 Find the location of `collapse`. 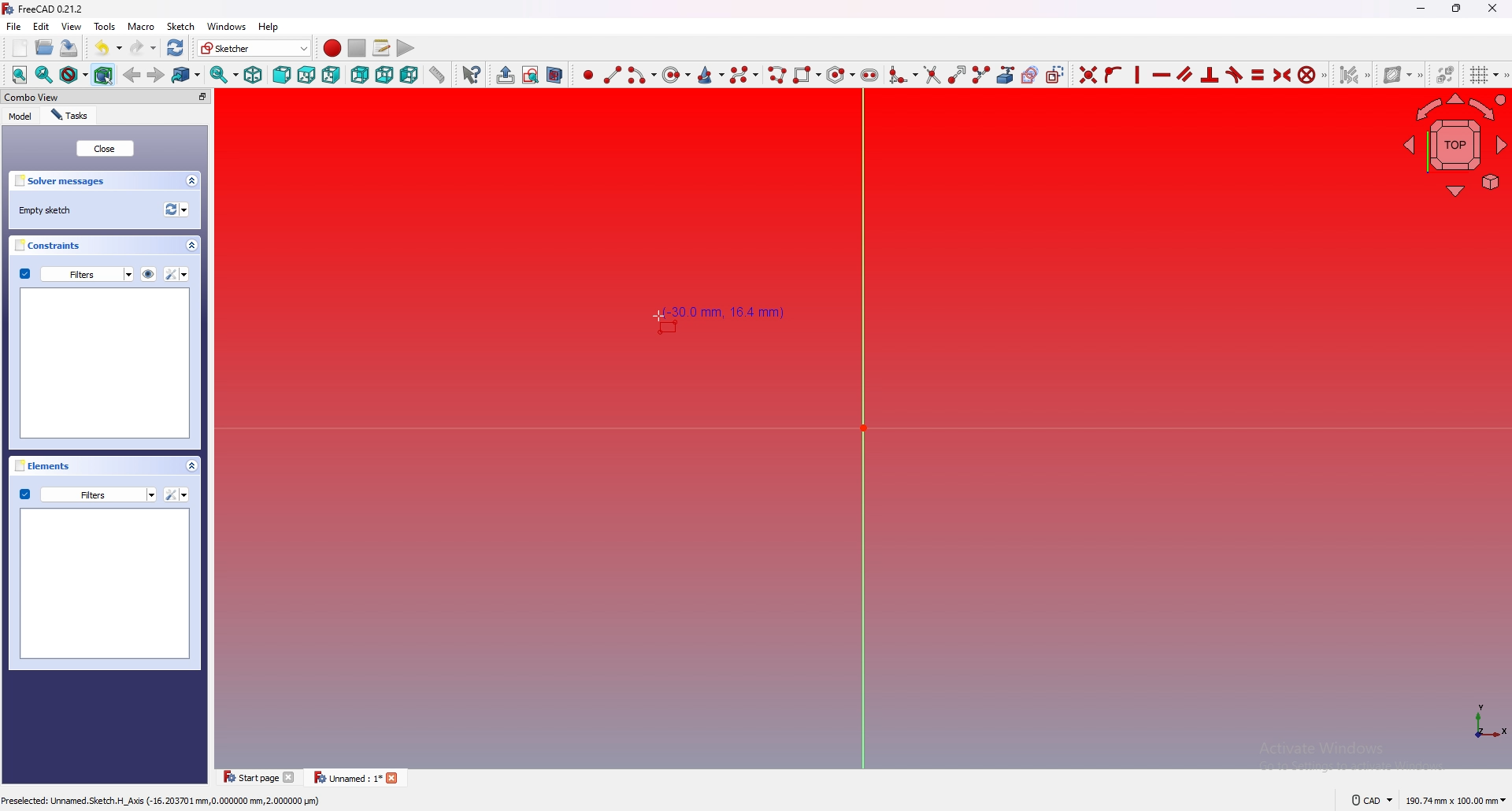

collapse is located at coordinates (191, 245).